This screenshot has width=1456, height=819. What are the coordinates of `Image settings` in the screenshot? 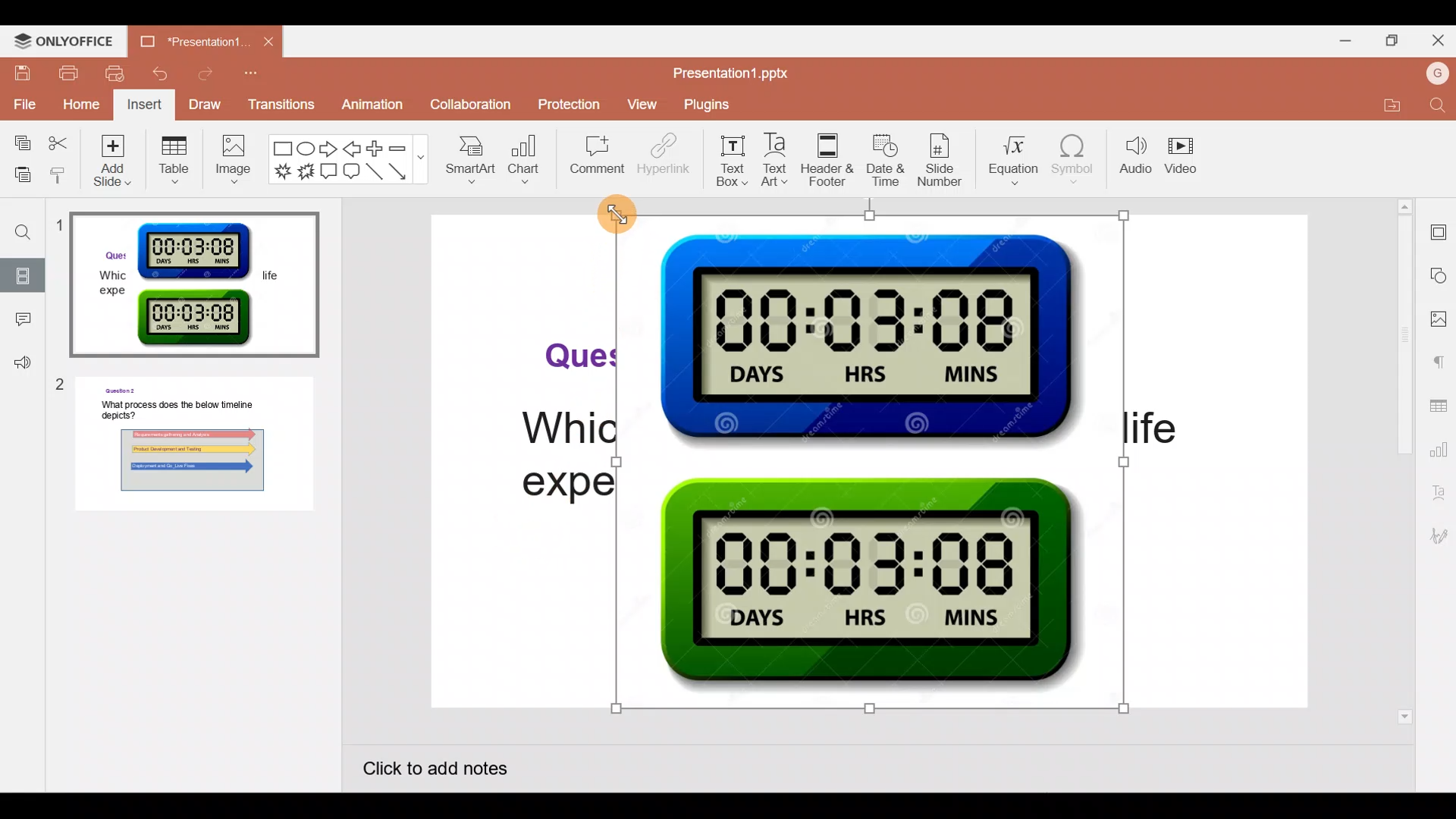 It's located at (1441, 321).